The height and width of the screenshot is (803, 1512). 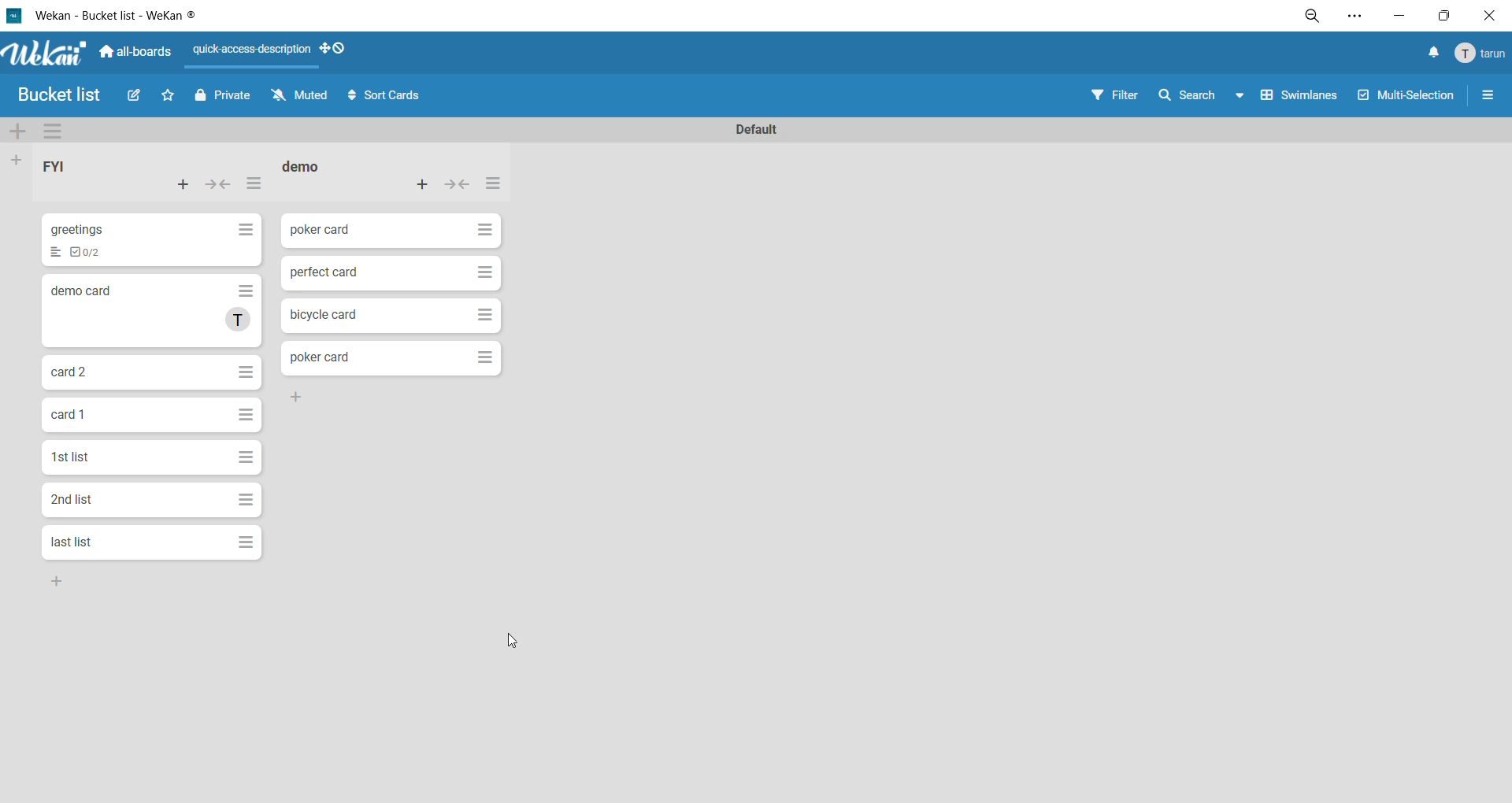 I want to click on multiselection, so click(x=1408, y=96).